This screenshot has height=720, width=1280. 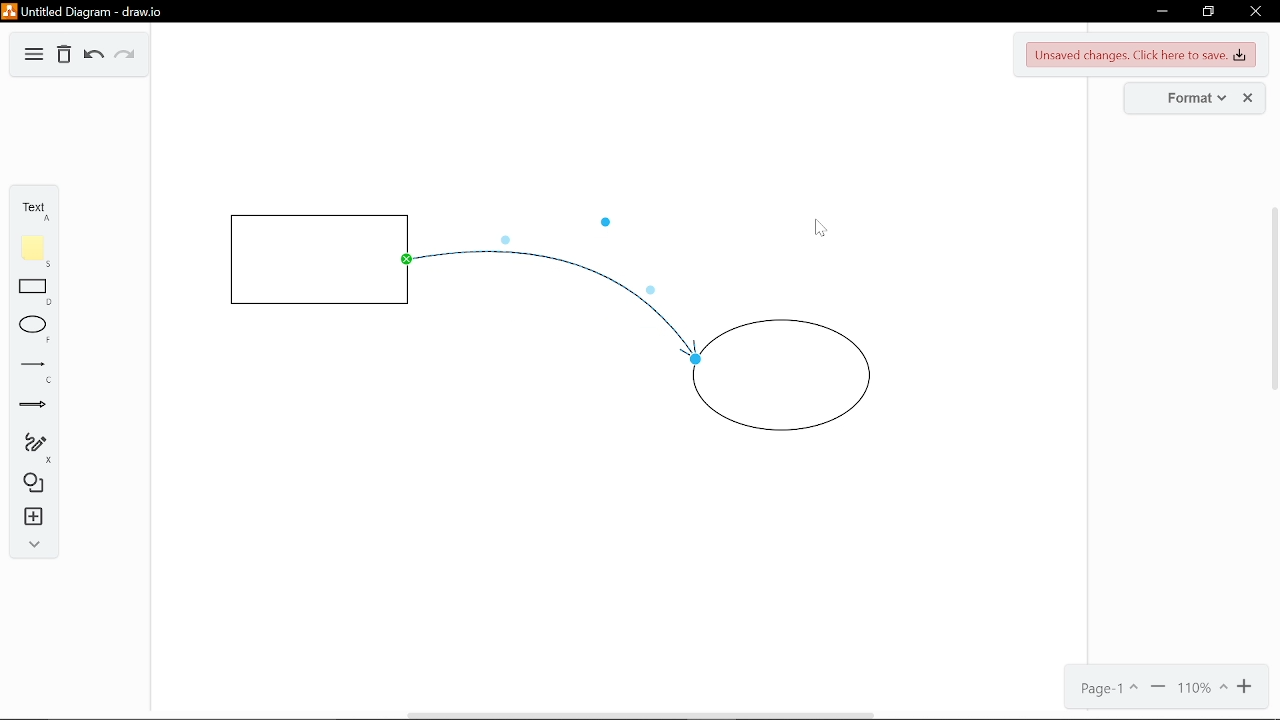 What do you see at coordinates (33, 486) in the screenshot?
I see `Shapes` at bounding box center [33, 486].